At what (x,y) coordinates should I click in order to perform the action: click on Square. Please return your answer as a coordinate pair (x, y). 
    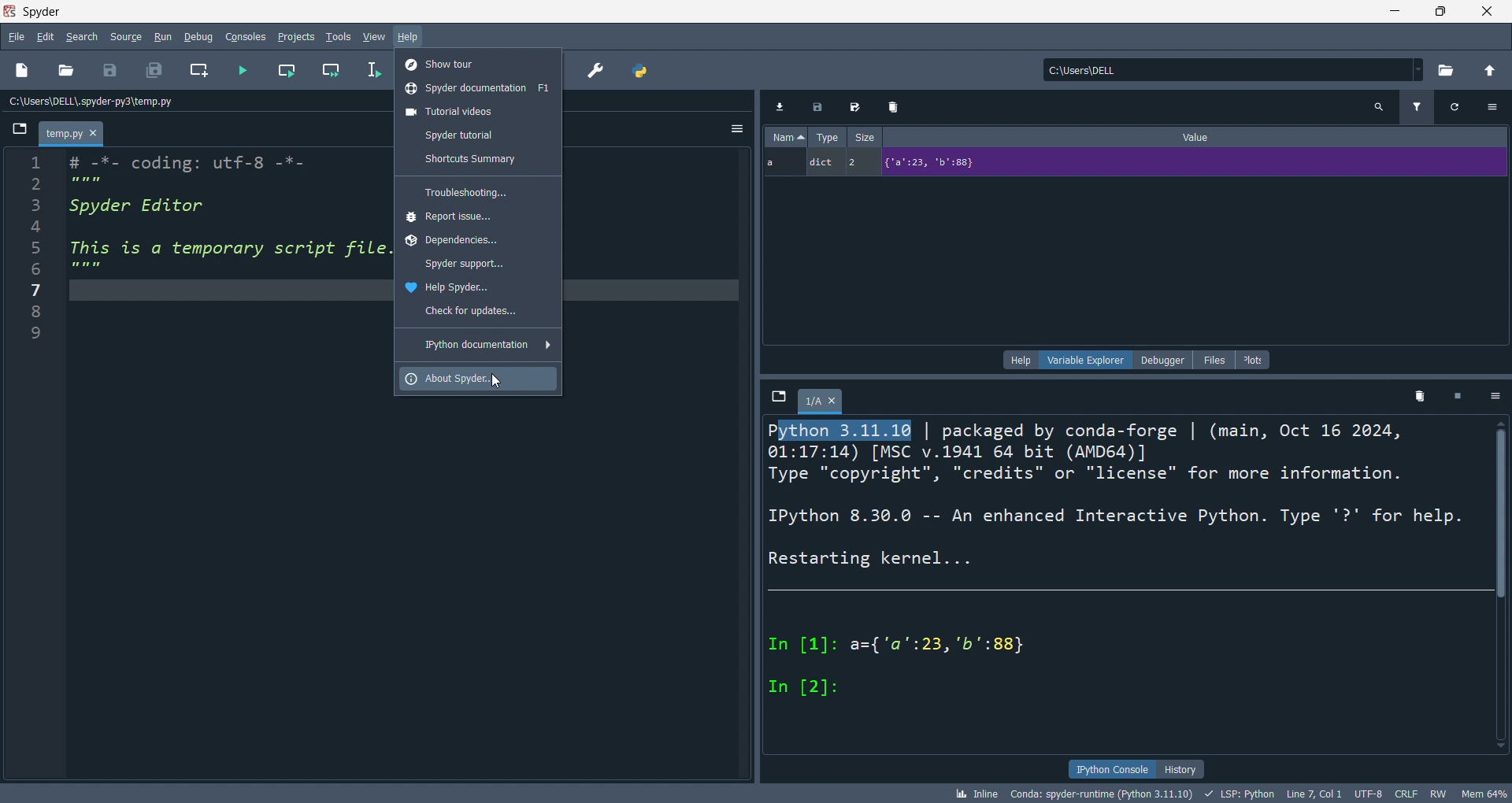
    Looking at the image, I should click on (1458, 395).